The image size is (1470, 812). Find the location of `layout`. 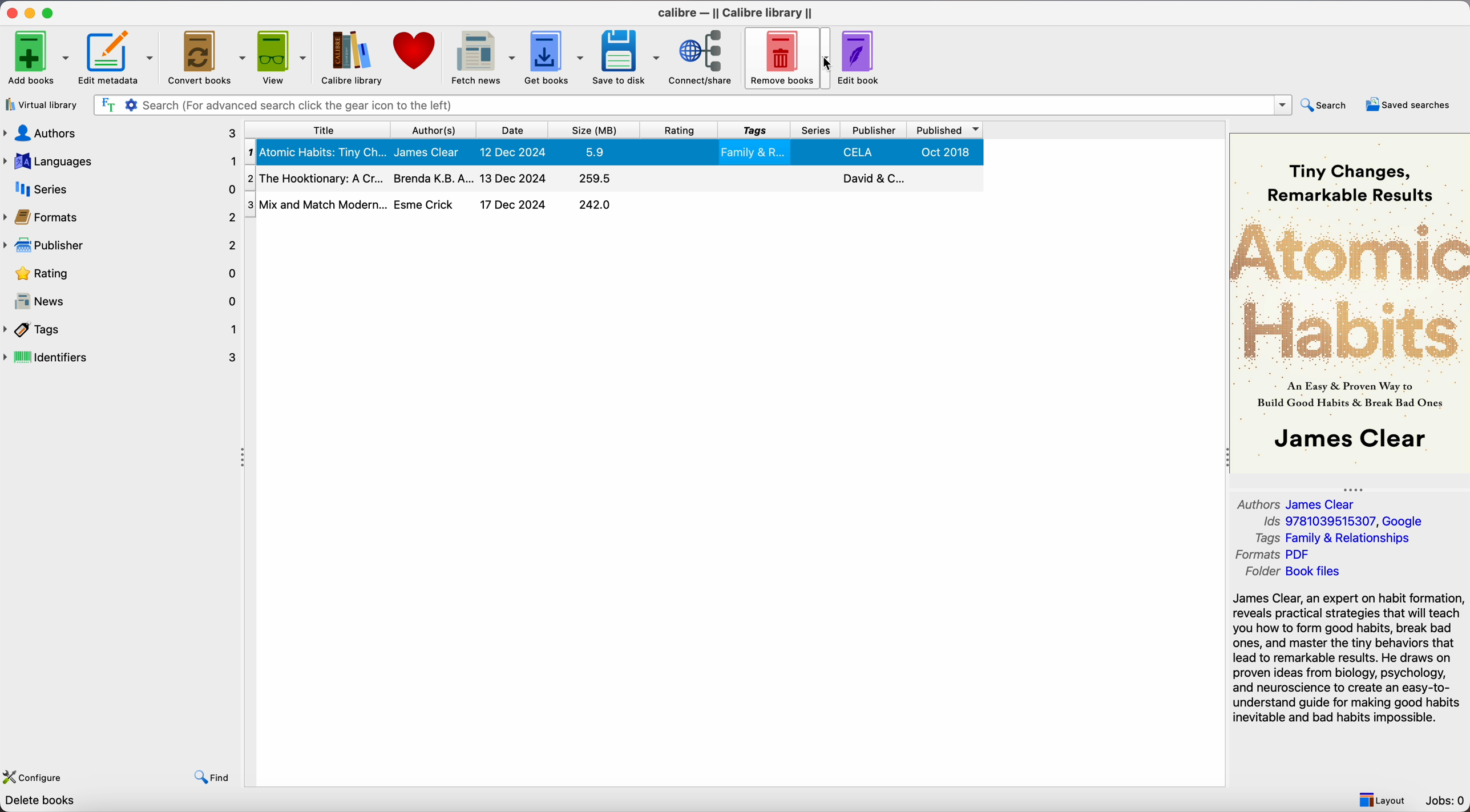

layout is located at coordinates (1383, 799).